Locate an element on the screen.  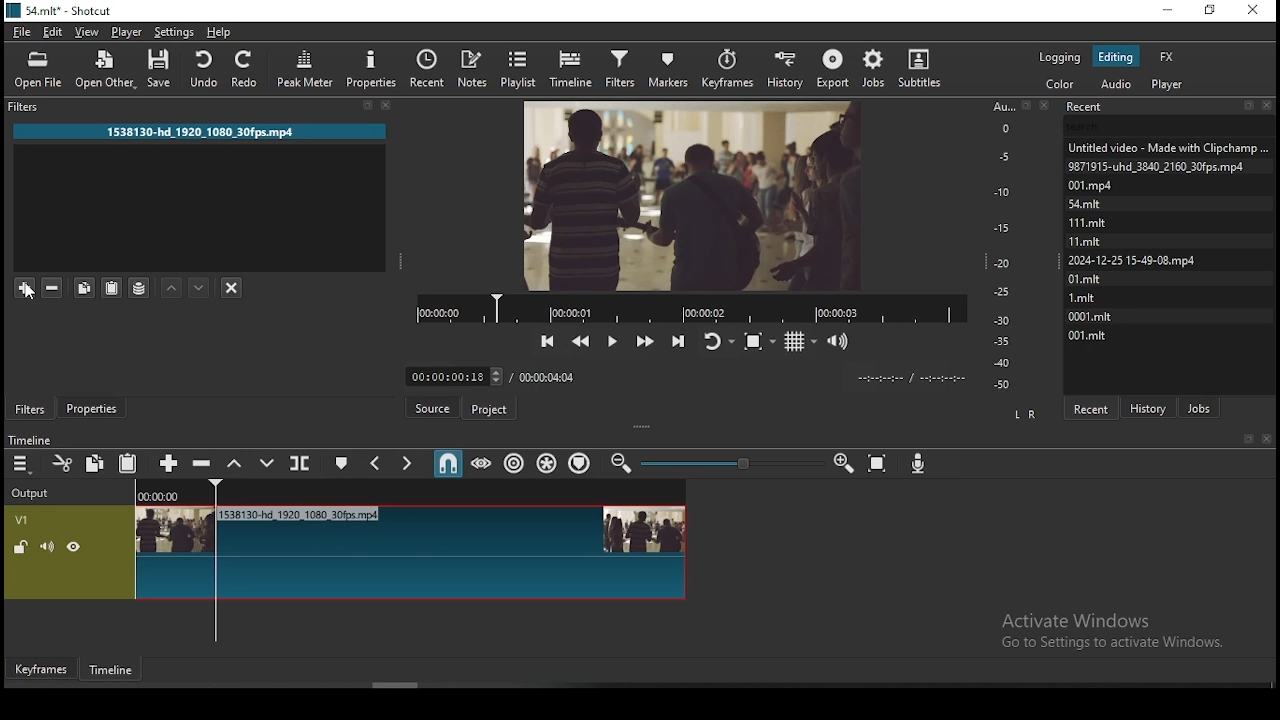
snap is located at coordinates (443, 465).